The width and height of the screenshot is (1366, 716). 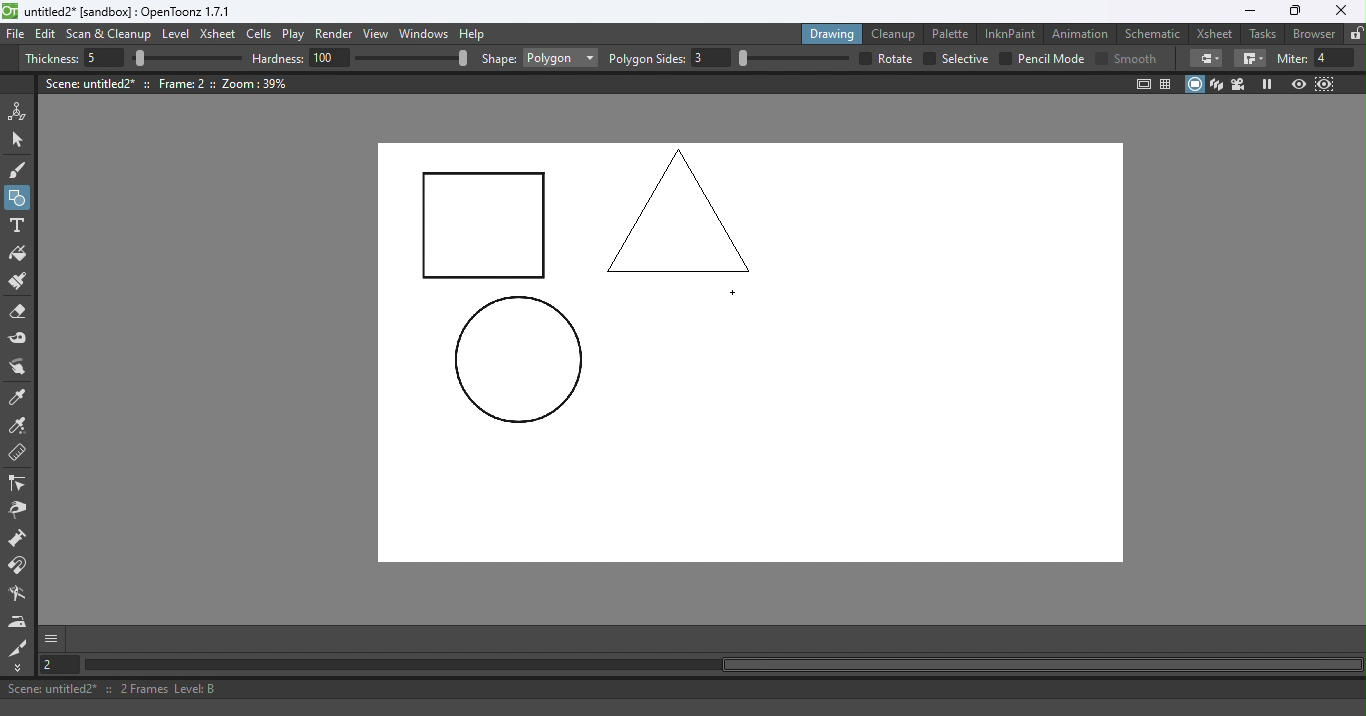 What do you see at coordinates (297, 35) in the screenshot?
I see `Play` at bounding box center [297, 35].